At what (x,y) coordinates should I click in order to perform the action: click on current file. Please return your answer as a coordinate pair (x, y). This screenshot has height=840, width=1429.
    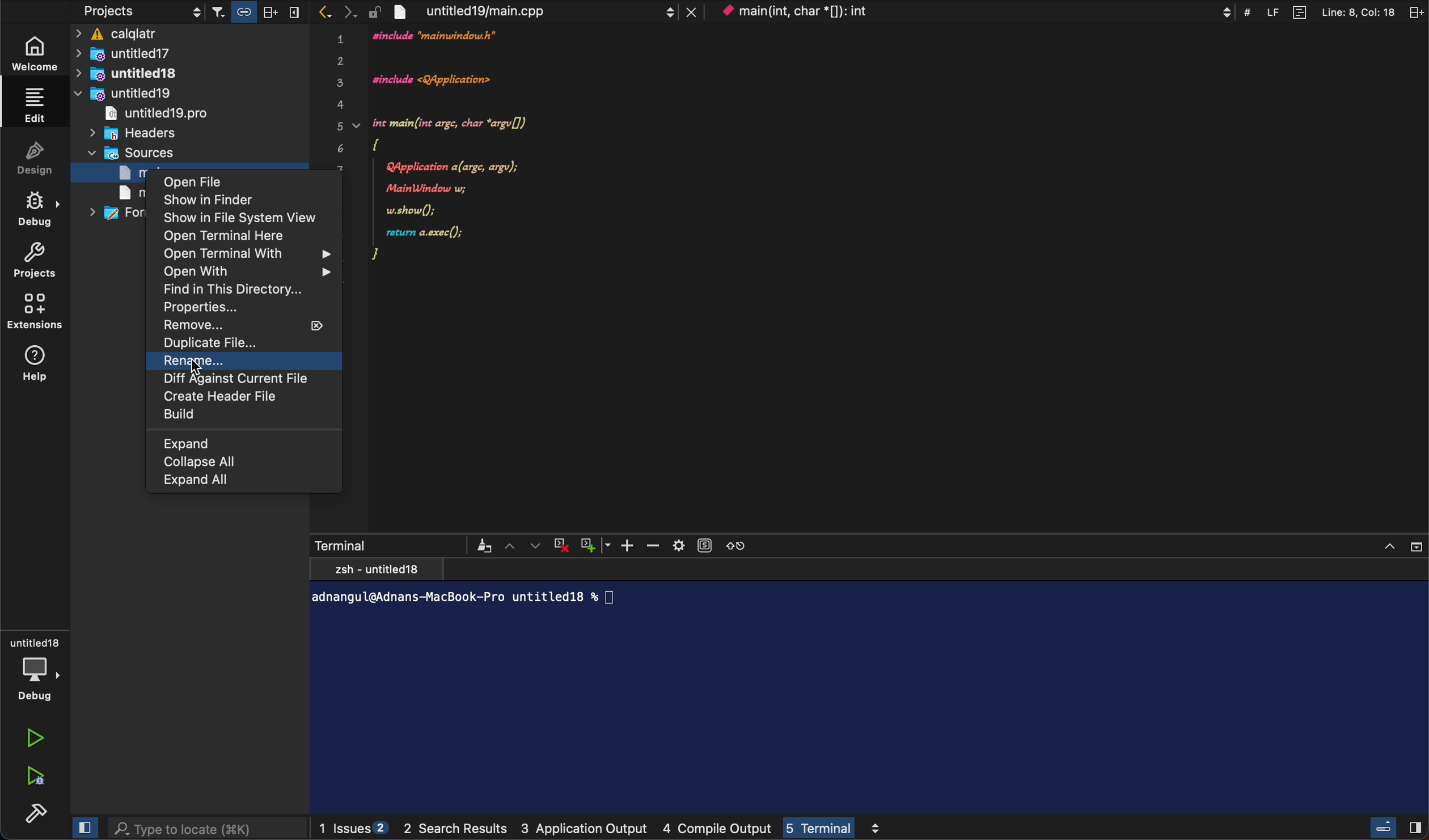
    Looking at the image, I should click on (244, 381).